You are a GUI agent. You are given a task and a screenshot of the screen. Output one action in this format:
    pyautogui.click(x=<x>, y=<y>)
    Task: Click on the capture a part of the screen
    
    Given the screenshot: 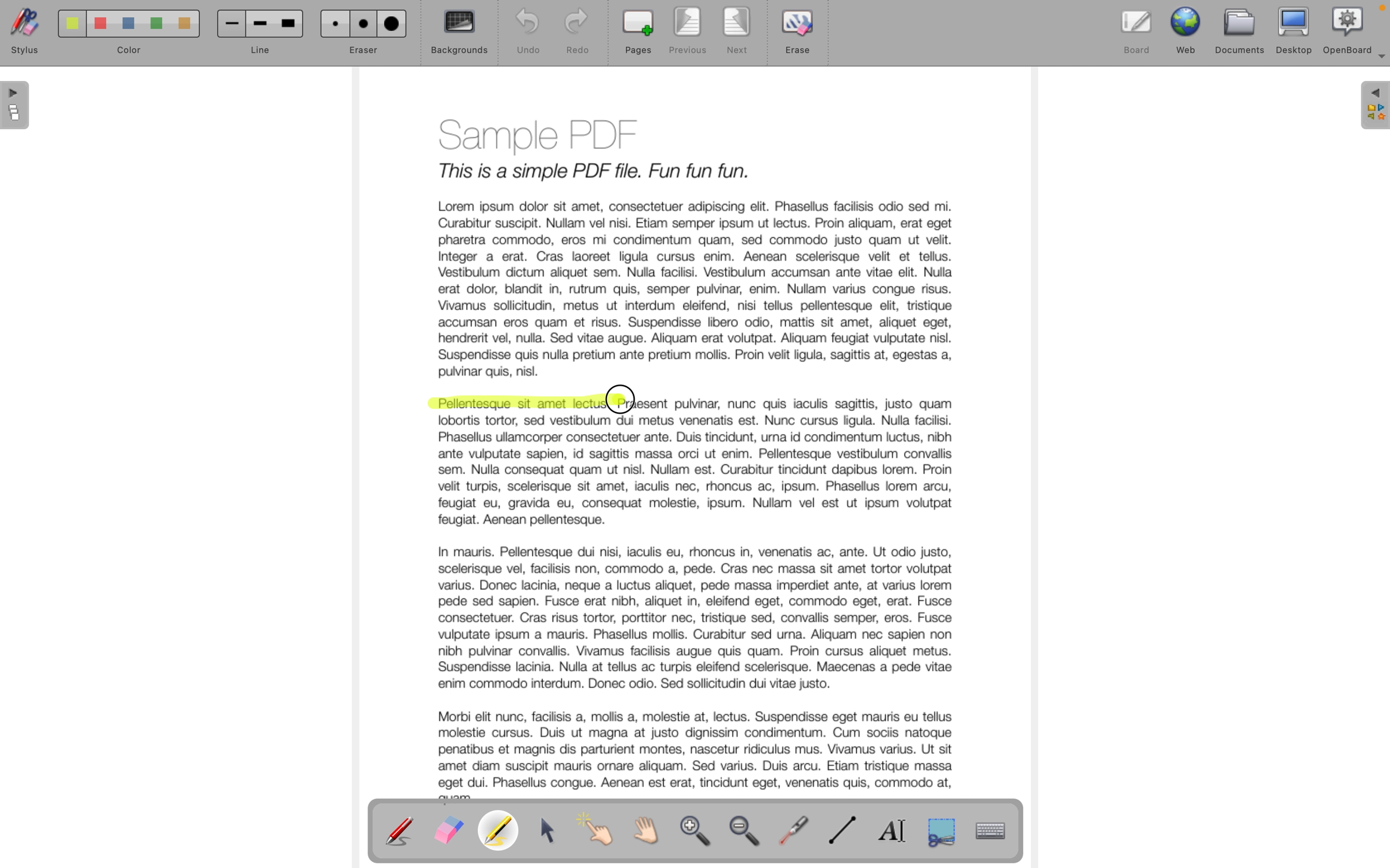 What is the action you would take?
    pyautogui.click(x=942, y=831)
    